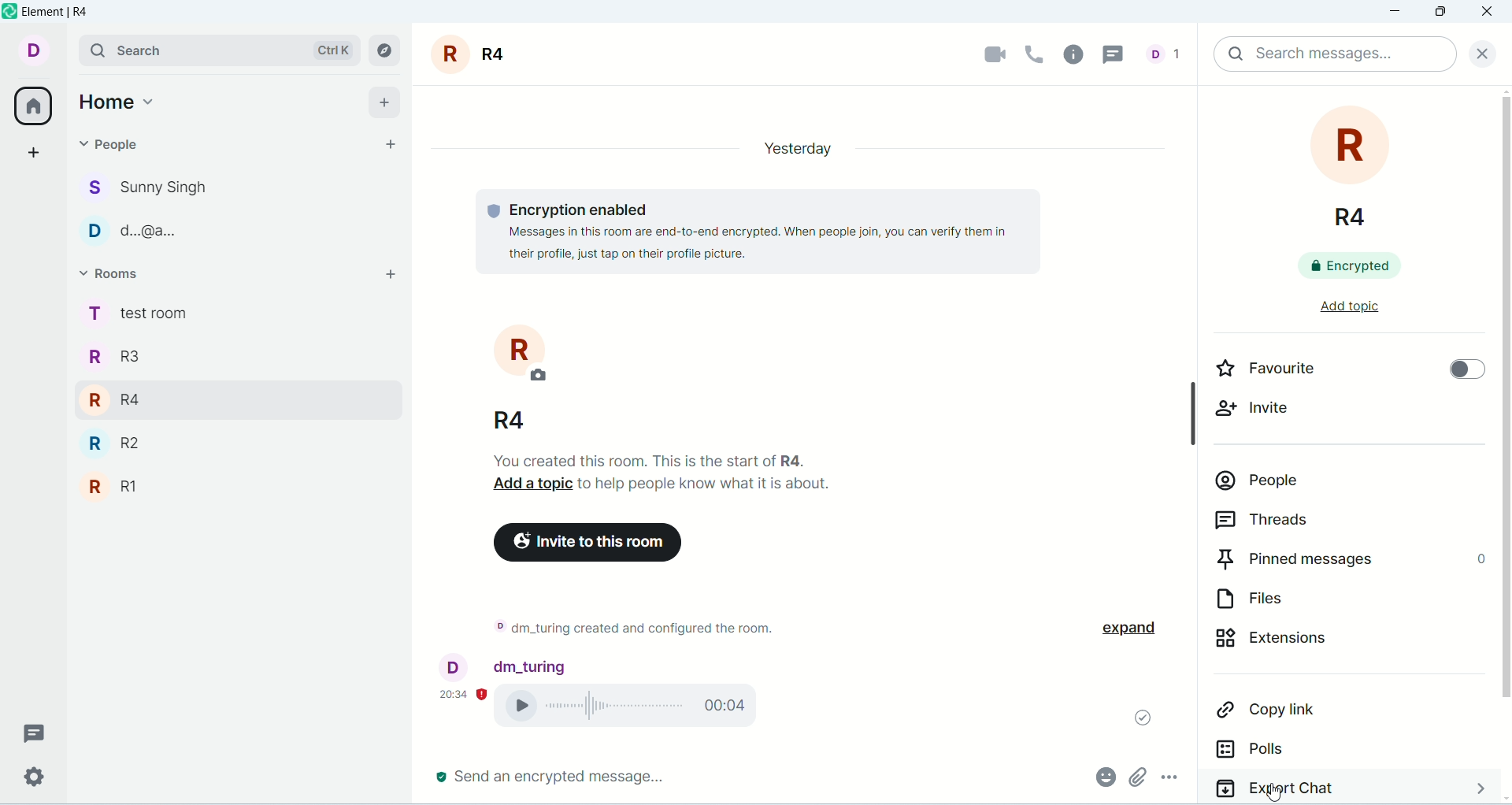 This screenshot has width=1512, height=805. What do you see at coordinates (632, 631) in the screenshot?
I see `text` at bounding box center [632, 631].